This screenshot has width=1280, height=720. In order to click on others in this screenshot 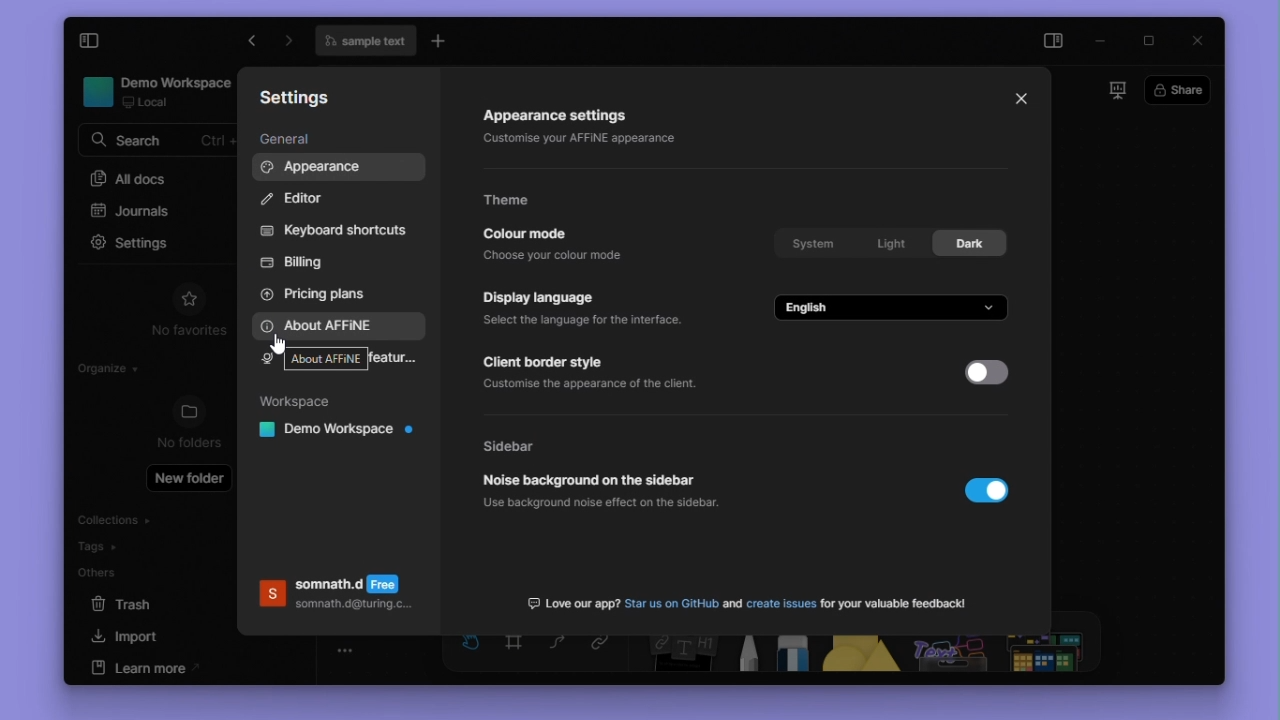, I will do `click(101, 576)`.